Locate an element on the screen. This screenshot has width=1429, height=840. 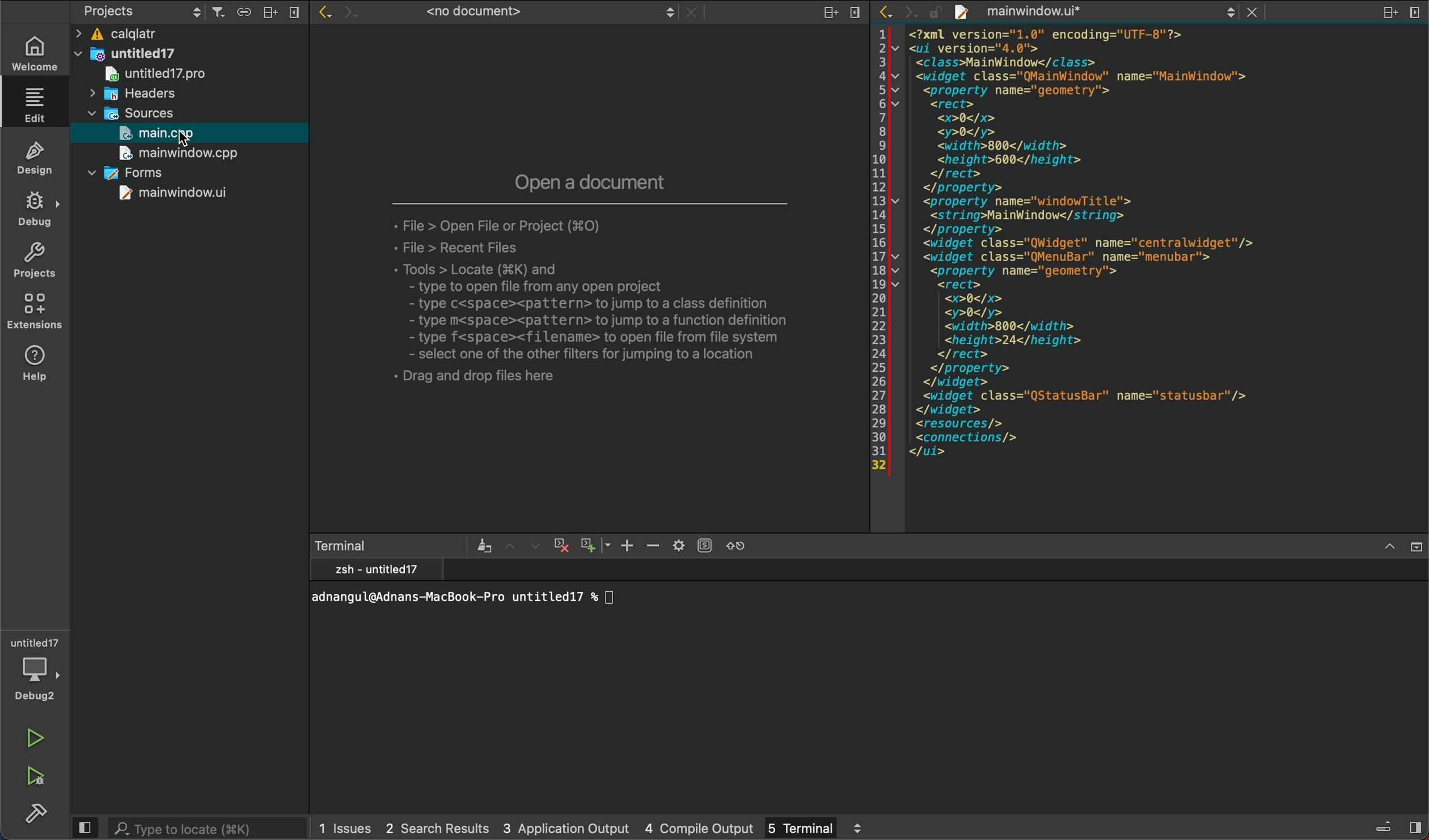
go forward is located at coordinates (909, 12).